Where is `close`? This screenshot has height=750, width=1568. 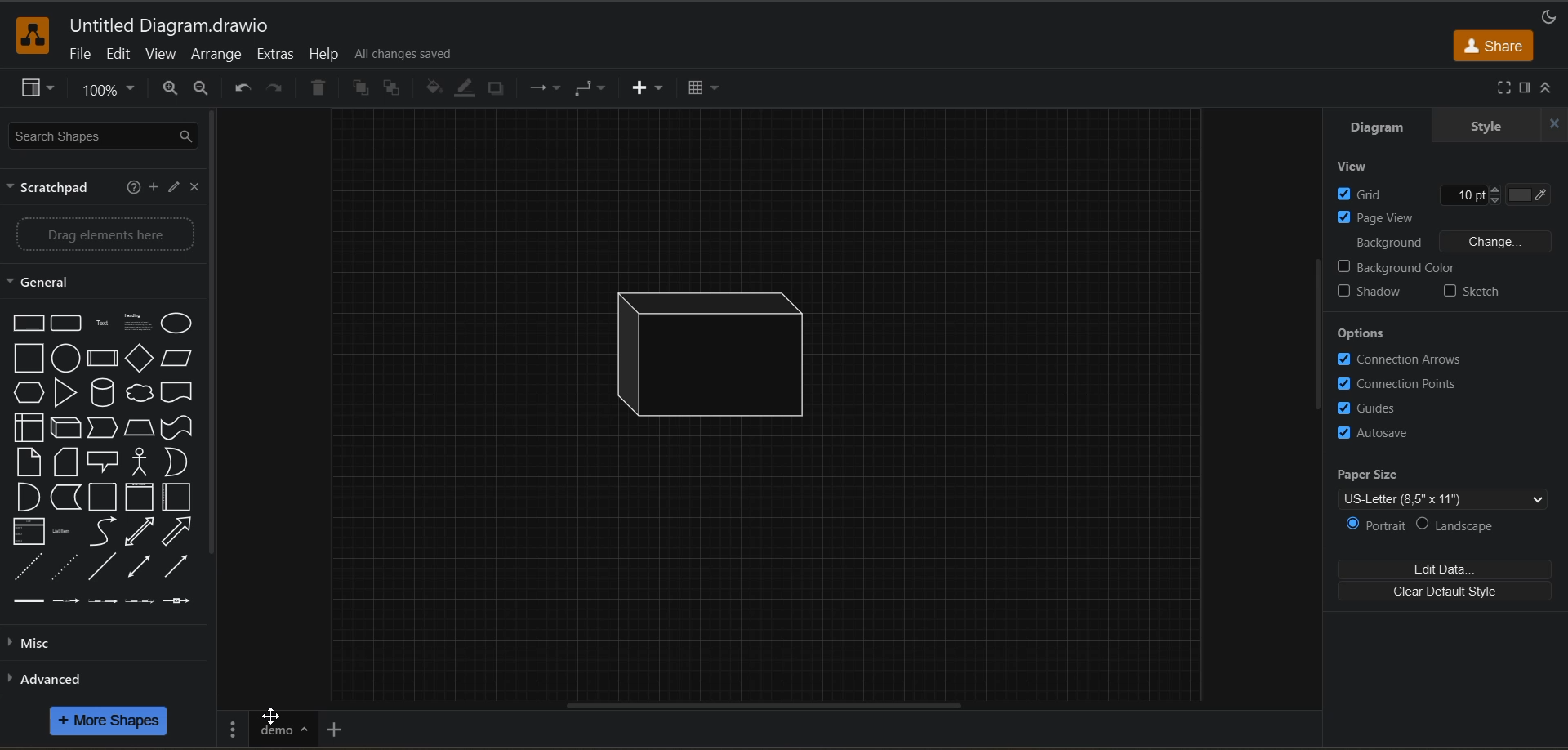
close is located at coordinates (194, 188).